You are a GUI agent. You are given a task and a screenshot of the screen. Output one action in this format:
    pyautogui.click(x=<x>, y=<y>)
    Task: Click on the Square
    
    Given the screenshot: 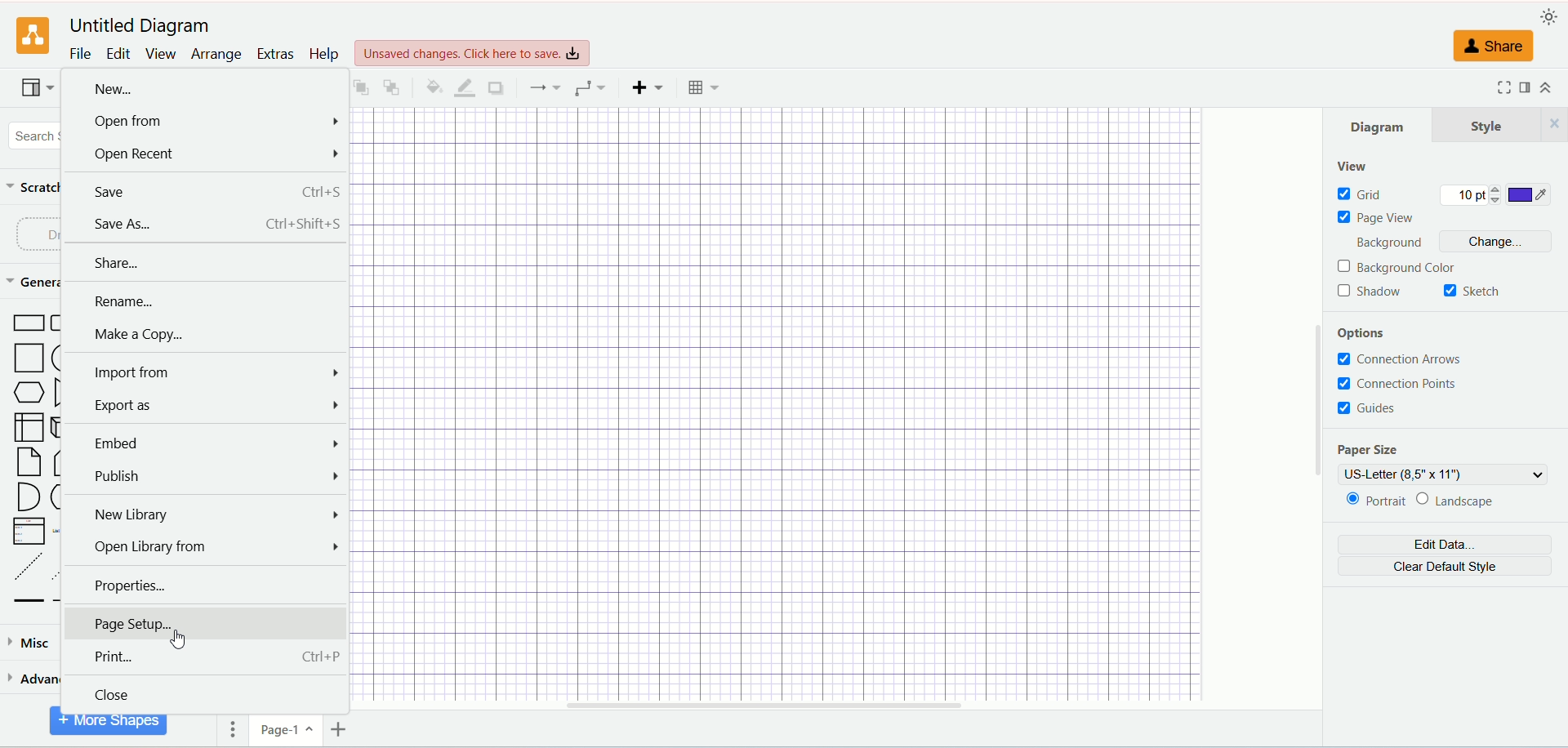 What is the action you would take?
    pyautogui.click(x=30, y=359)
    